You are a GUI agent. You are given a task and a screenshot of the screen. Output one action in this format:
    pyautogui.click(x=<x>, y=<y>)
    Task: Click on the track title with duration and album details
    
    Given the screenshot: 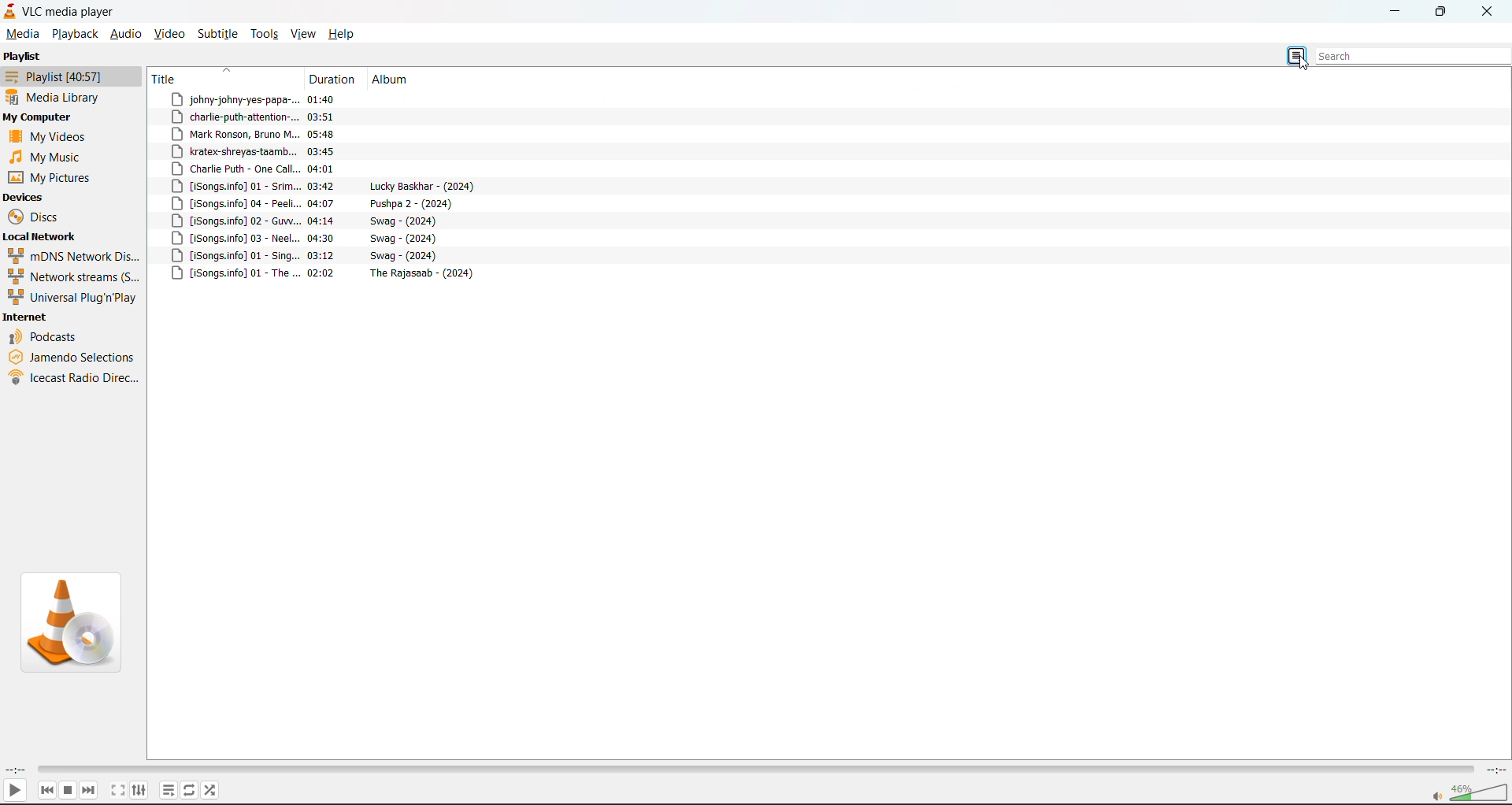 What is the action you would take?
    pyautogui.click(x=314, y=221)
    